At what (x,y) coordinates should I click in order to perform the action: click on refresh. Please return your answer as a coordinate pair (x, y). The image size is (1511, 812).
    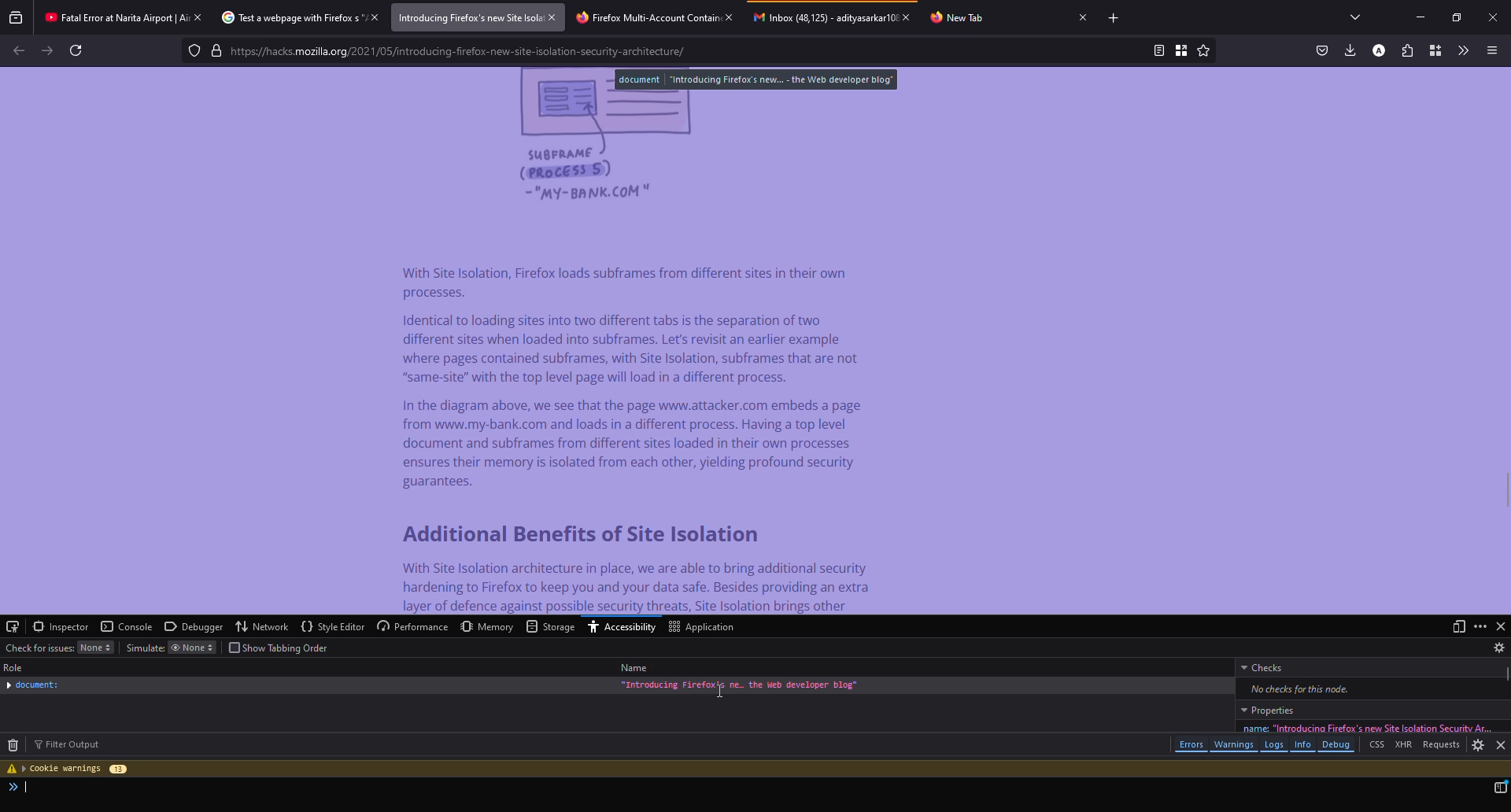
    Looking at the image, I should click on (76, 50).